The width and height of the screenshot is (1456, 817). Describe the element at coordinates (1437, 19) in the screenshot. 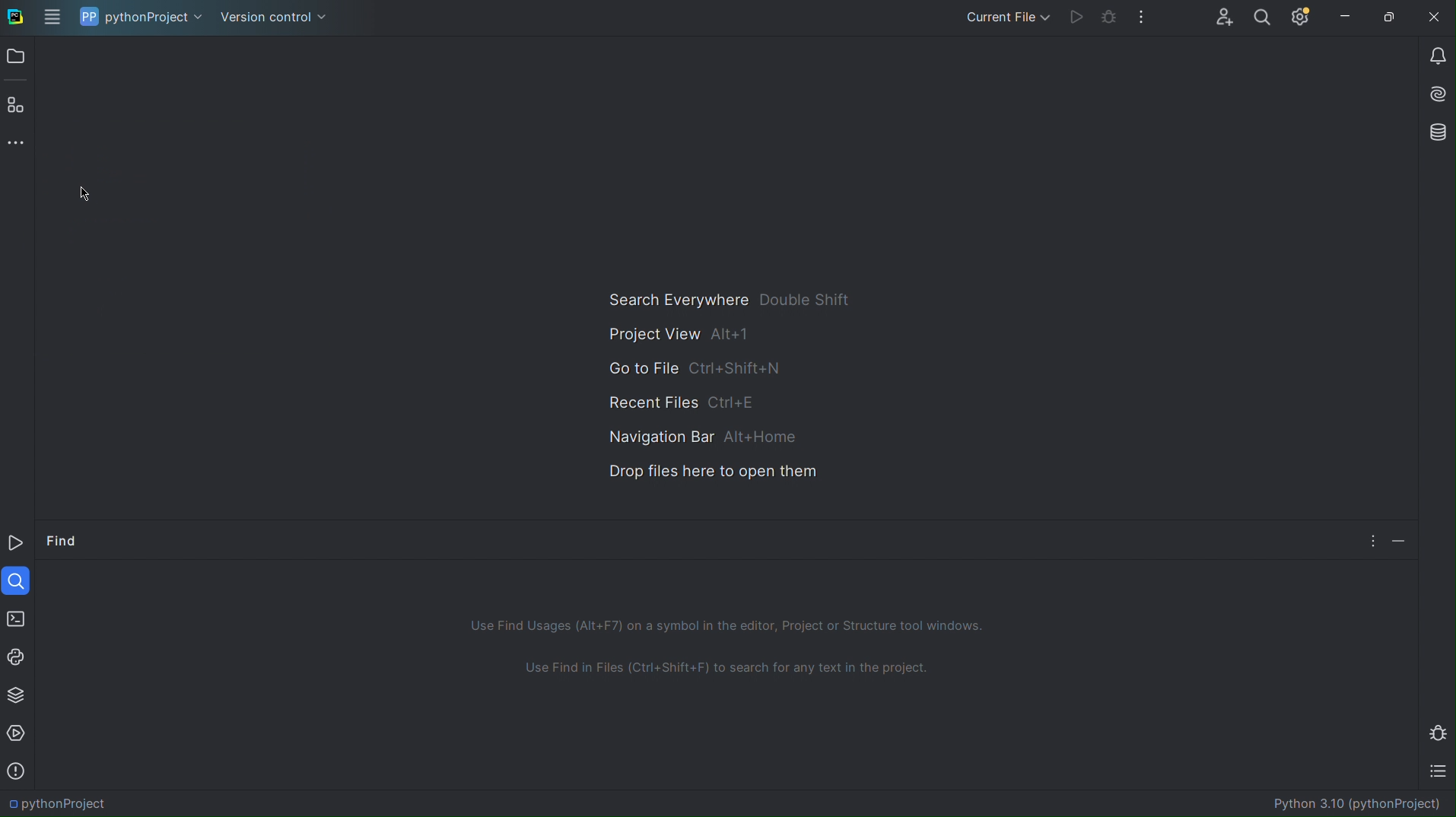

I see `Close` at that location.